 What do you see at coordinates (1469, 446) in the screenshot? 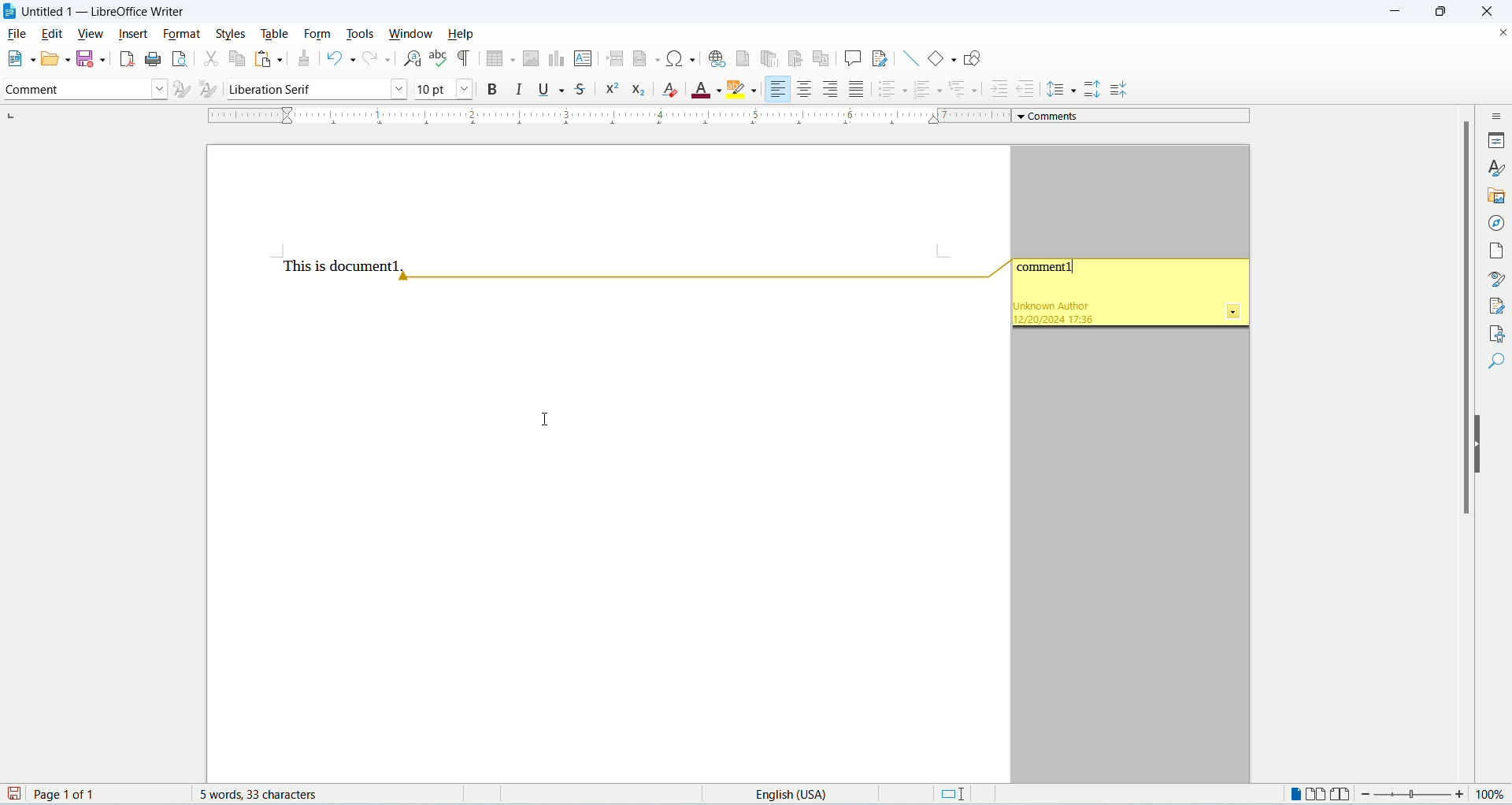
I see `vertical scroll bar` at bounding box center [1469, 446].